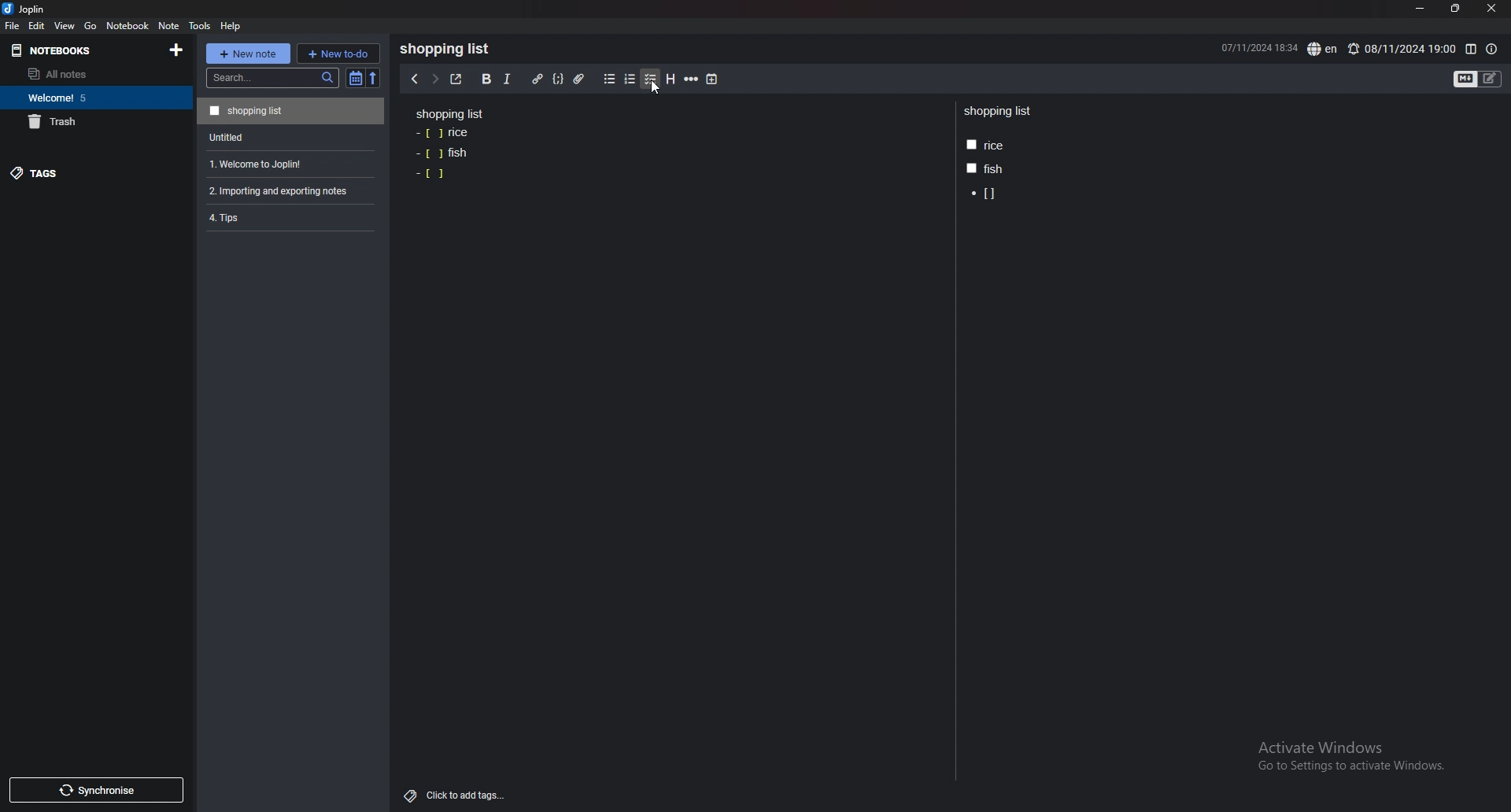  Describe the element at coordinates (376, 78) in the screenshot. I see `reverse sort order` at that location.